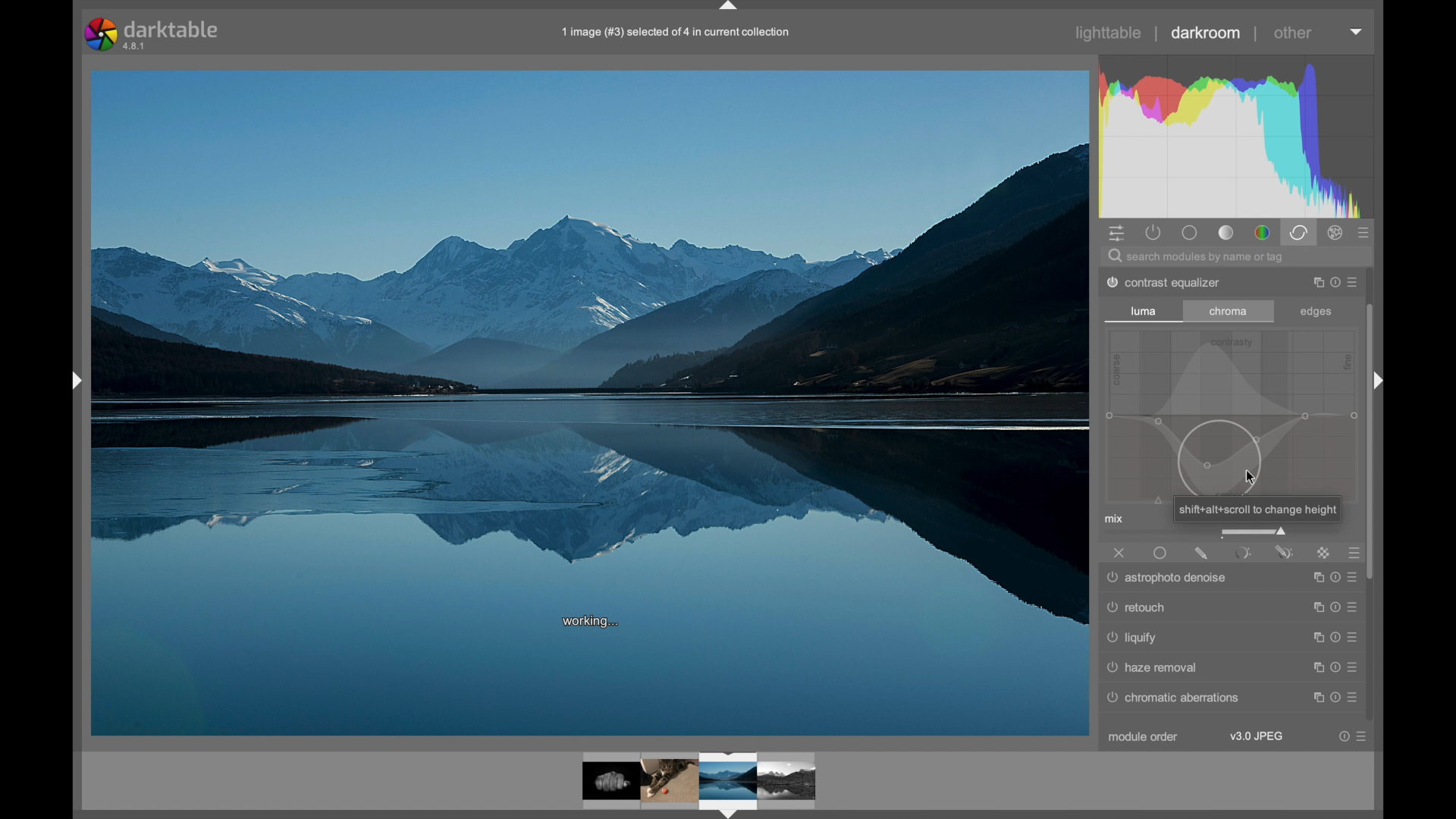  Describe the element at coordinates (700, 782) in the screenshot. I see `photo preview` at that location.